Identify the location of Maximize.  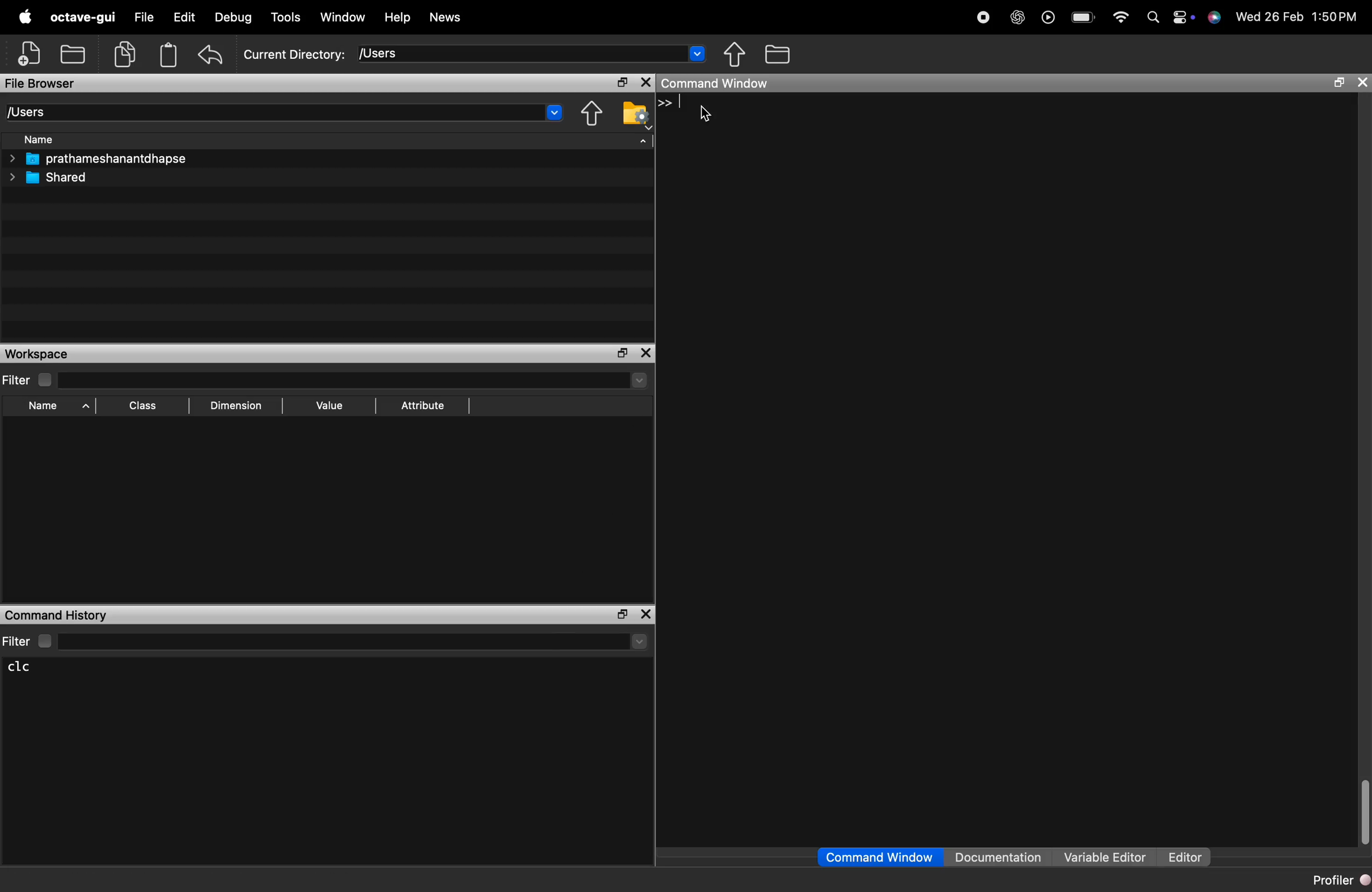
(623, 84).